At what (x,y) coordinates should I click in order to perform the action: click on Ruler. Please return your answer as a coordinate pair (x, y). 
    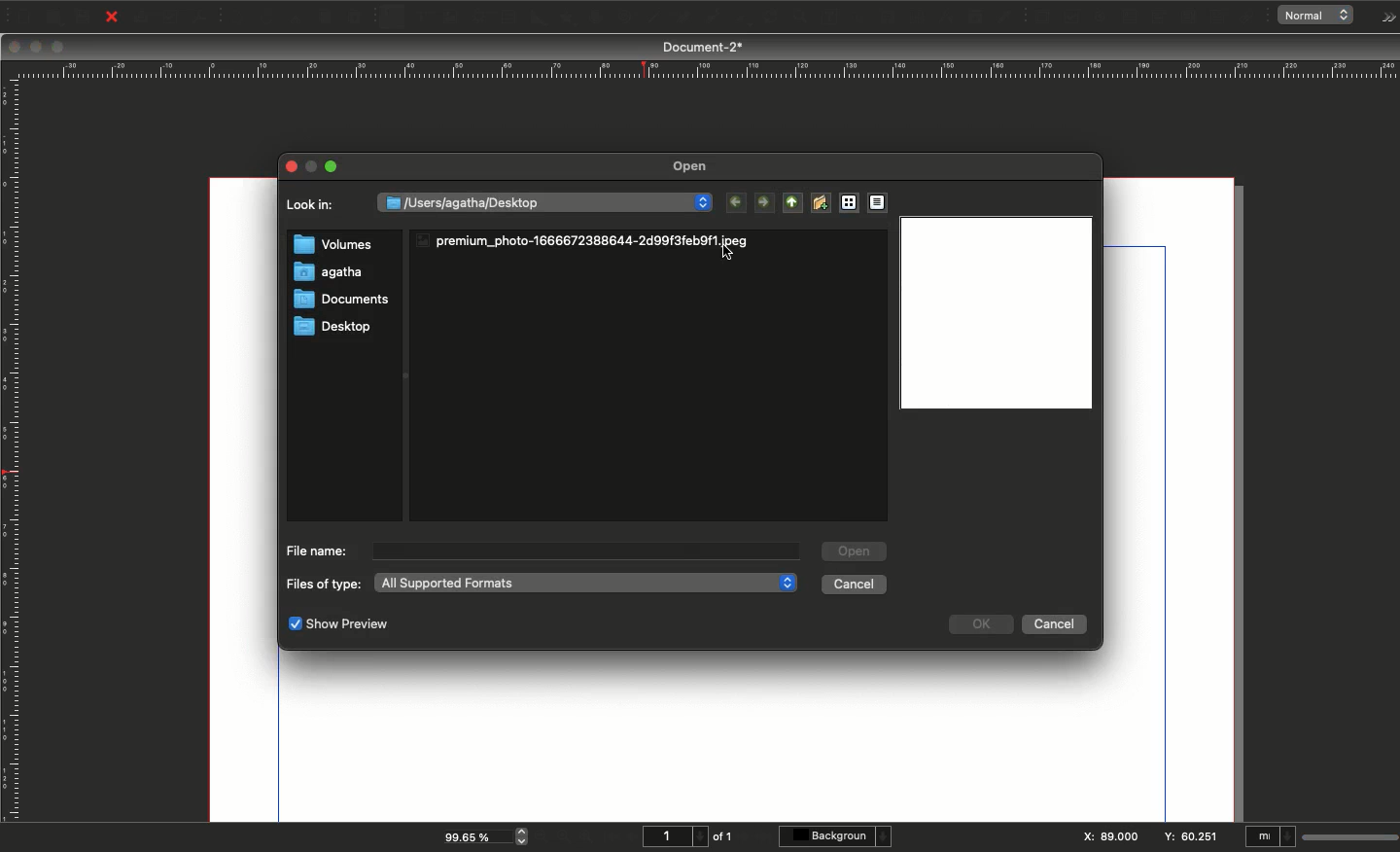
    Looking at the image, I should click on (705, 70).